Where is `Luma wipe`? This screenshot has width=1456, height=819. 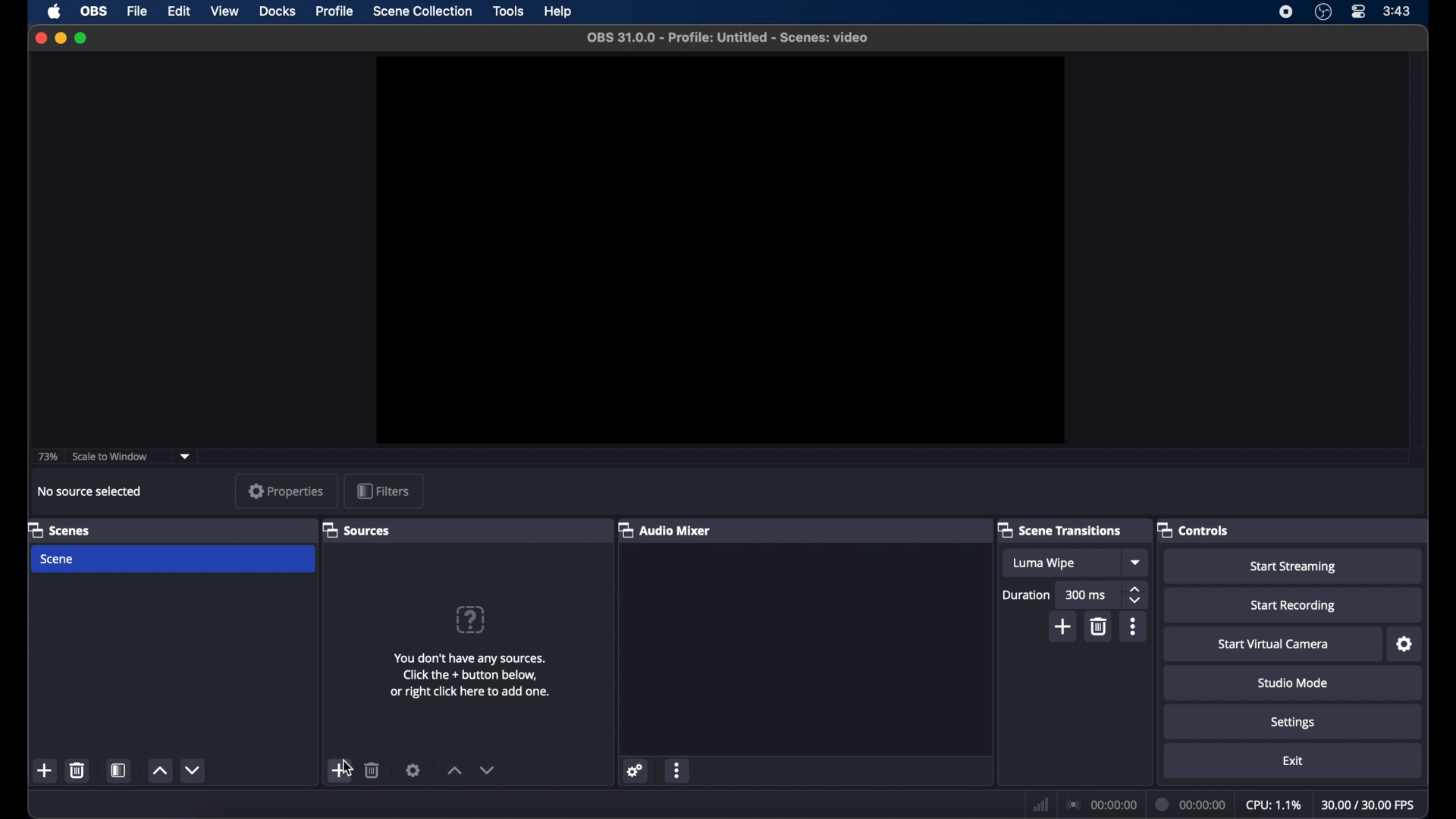 Luma wipe is located at coordinates (1043, 563).